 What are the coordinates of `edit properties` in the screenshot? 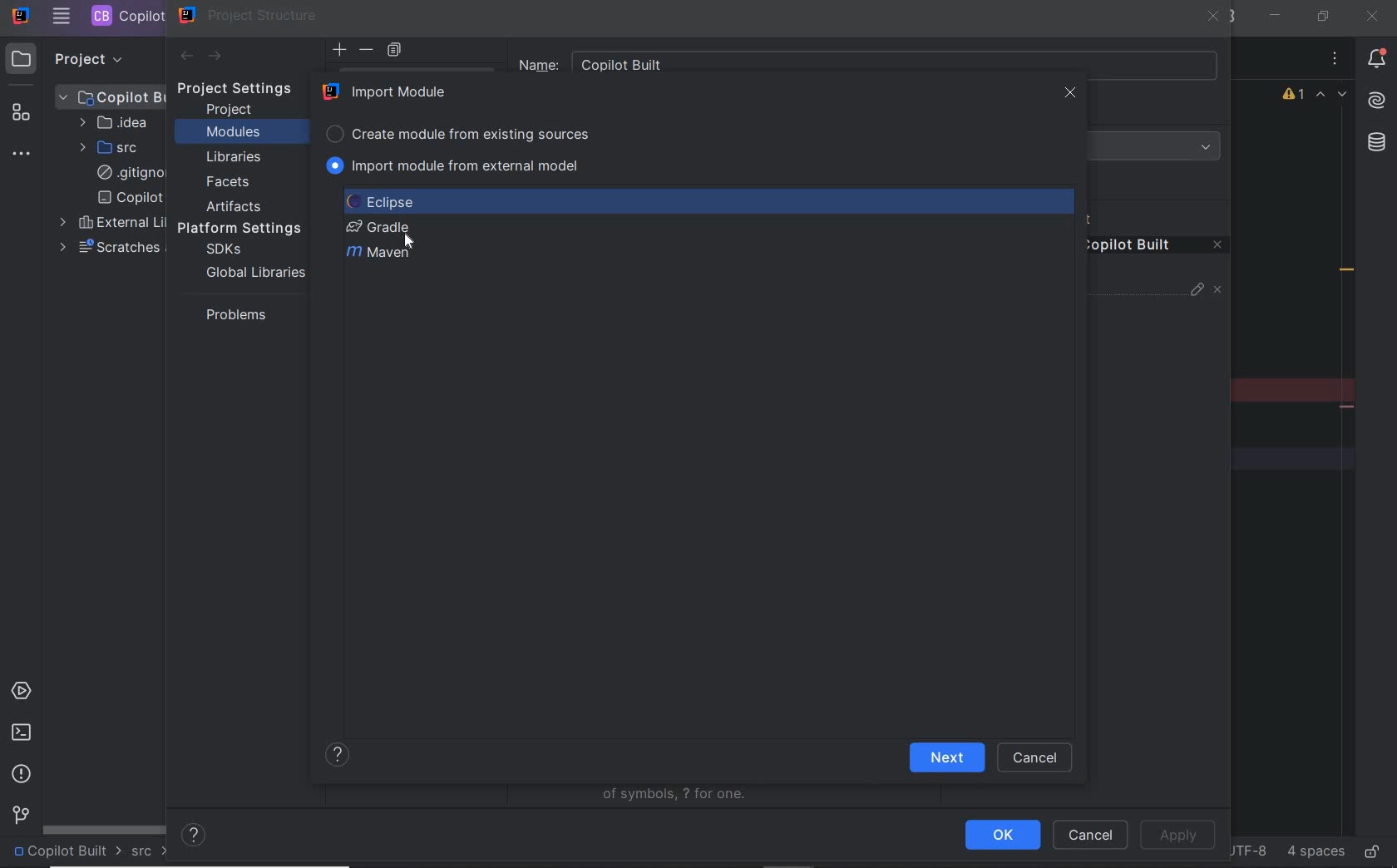 It's located at (1198, 293).